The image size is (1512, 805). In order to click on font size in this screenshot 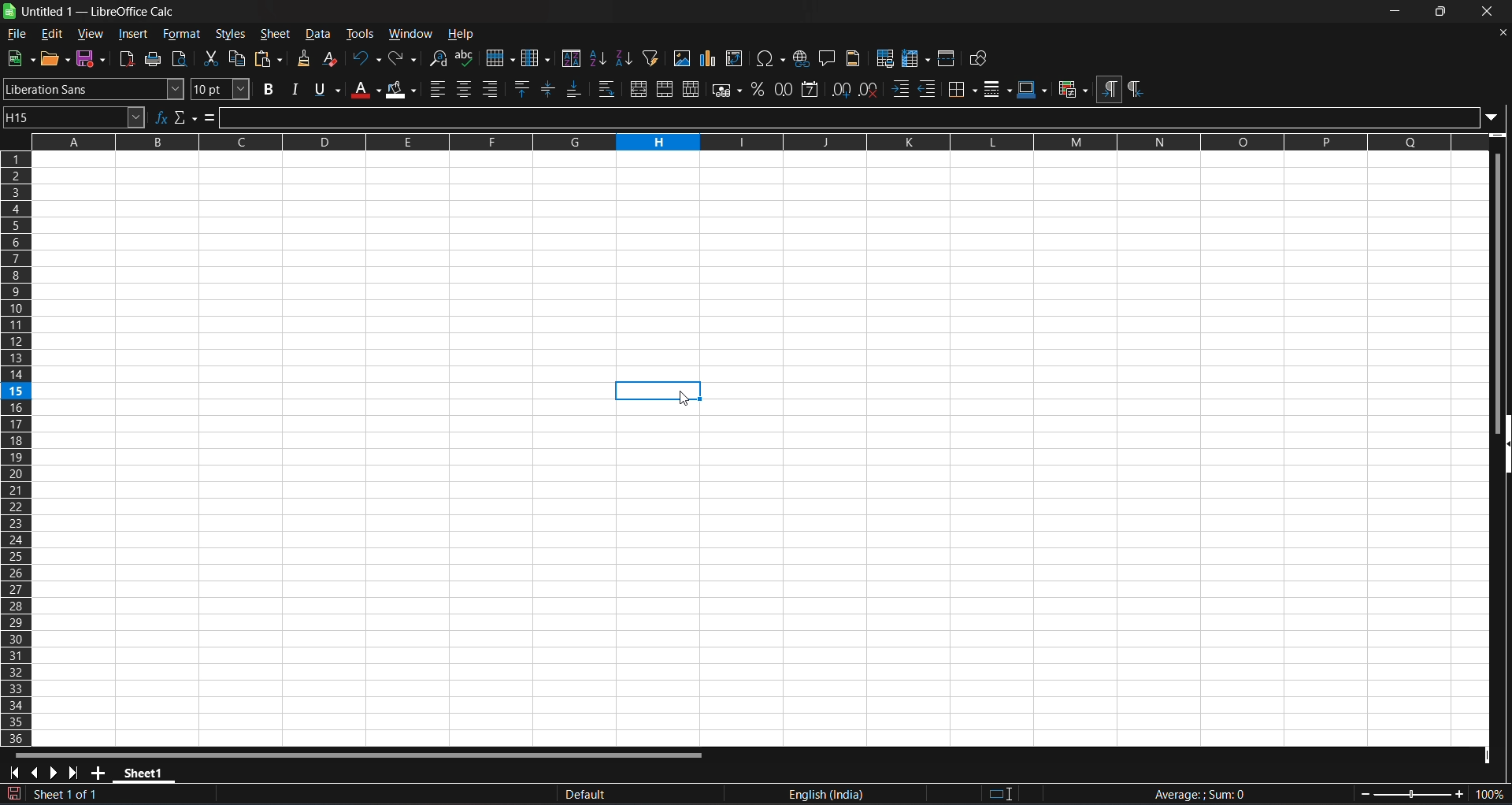, I will do `click(221, 89)`.